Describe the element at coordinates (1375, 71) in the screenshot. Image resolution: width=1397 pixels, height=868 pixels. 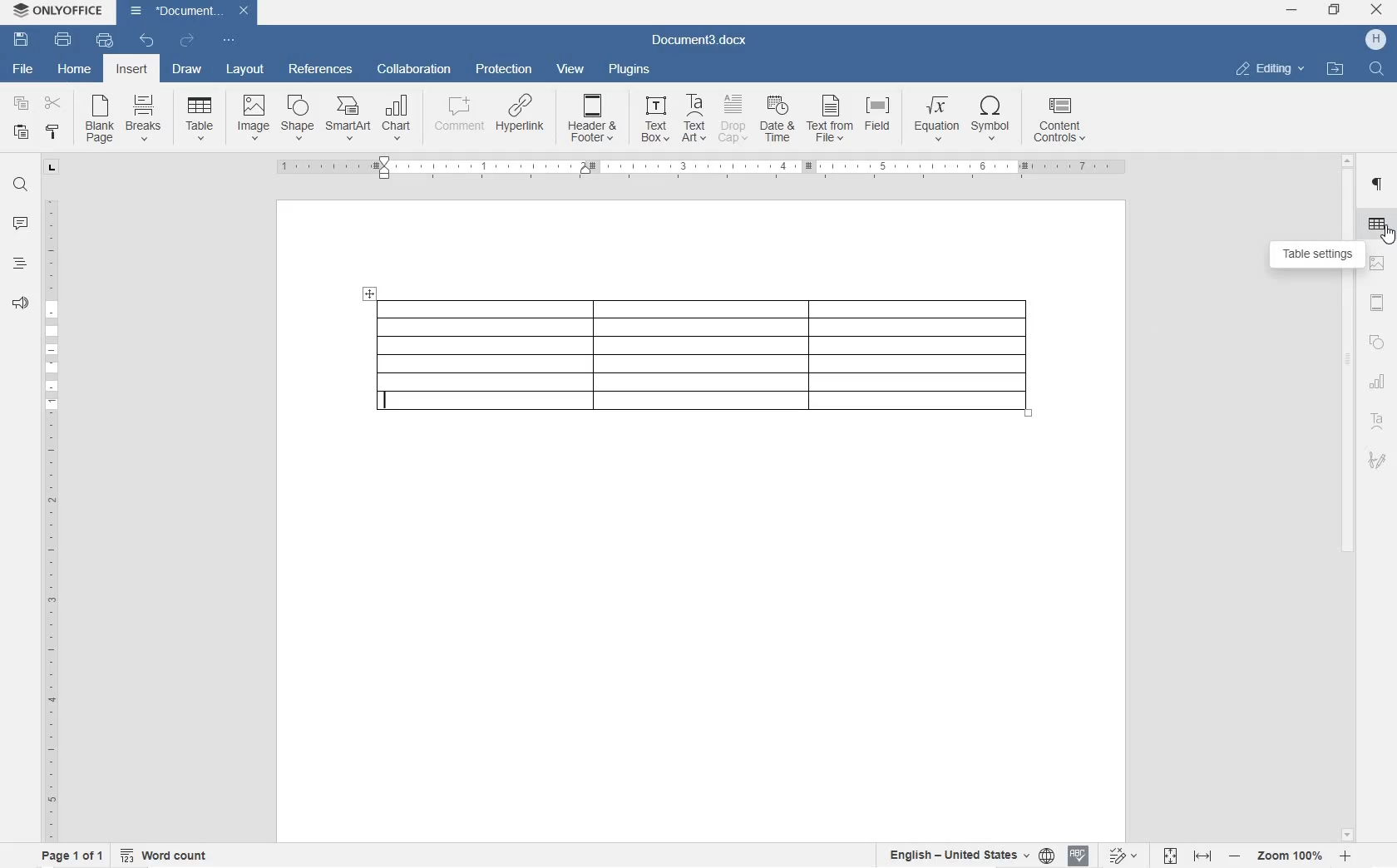
I see `FIND` at that location.